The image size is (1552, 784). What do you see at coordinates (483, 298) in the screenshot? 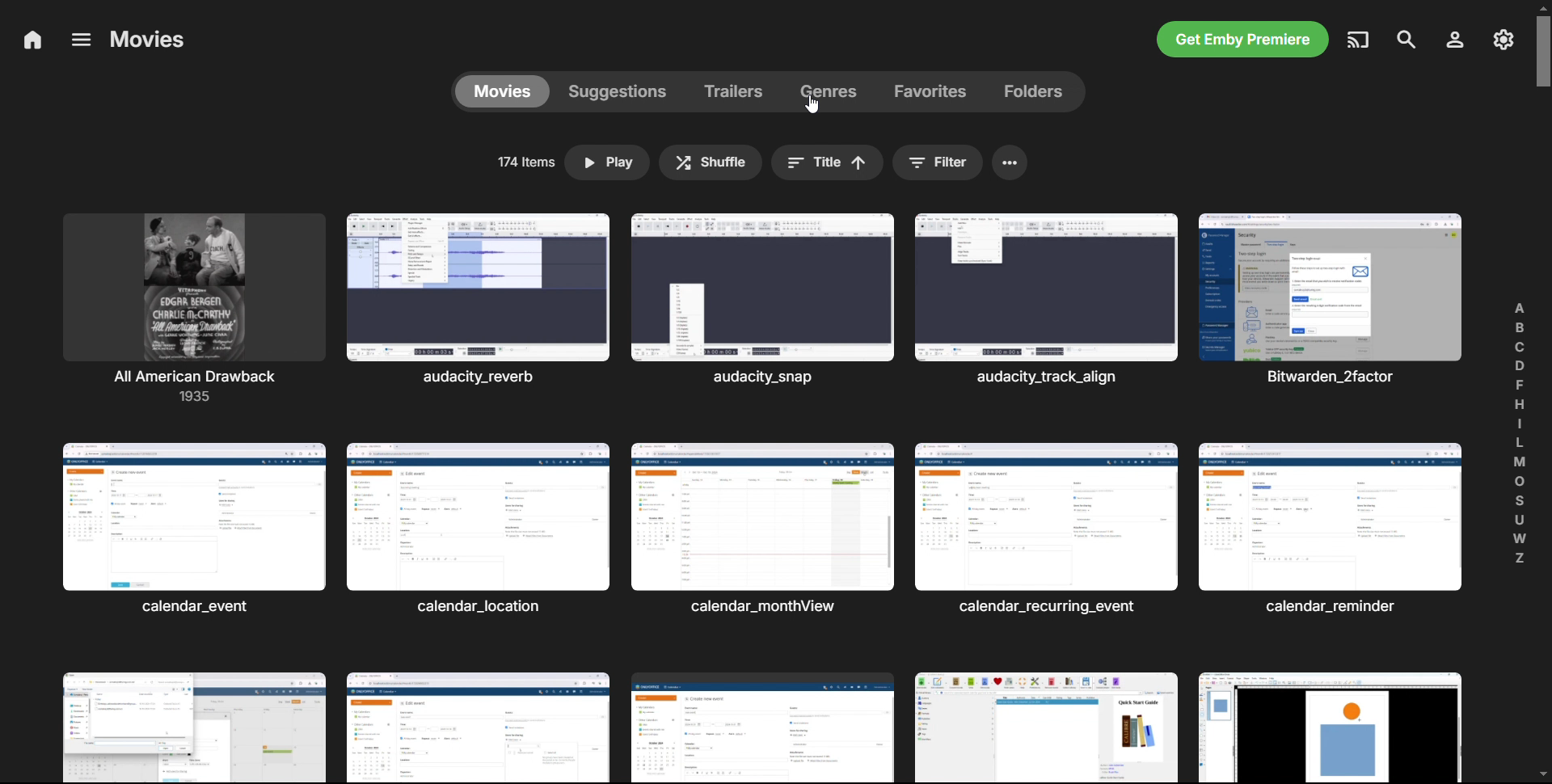
I see `audacity_reverb` at bounding box center [483, 298].